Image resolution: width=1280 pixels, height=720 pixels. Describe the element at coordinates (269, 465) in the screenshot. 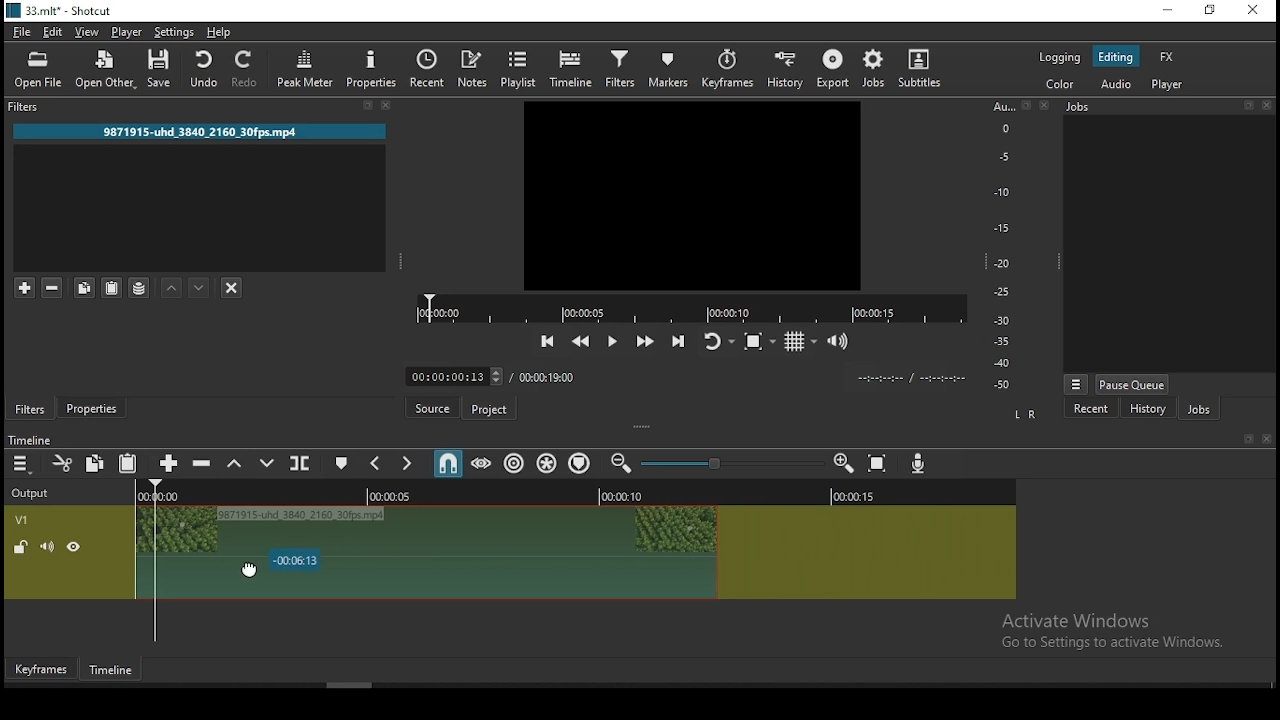

I see `overwrite` at that location.